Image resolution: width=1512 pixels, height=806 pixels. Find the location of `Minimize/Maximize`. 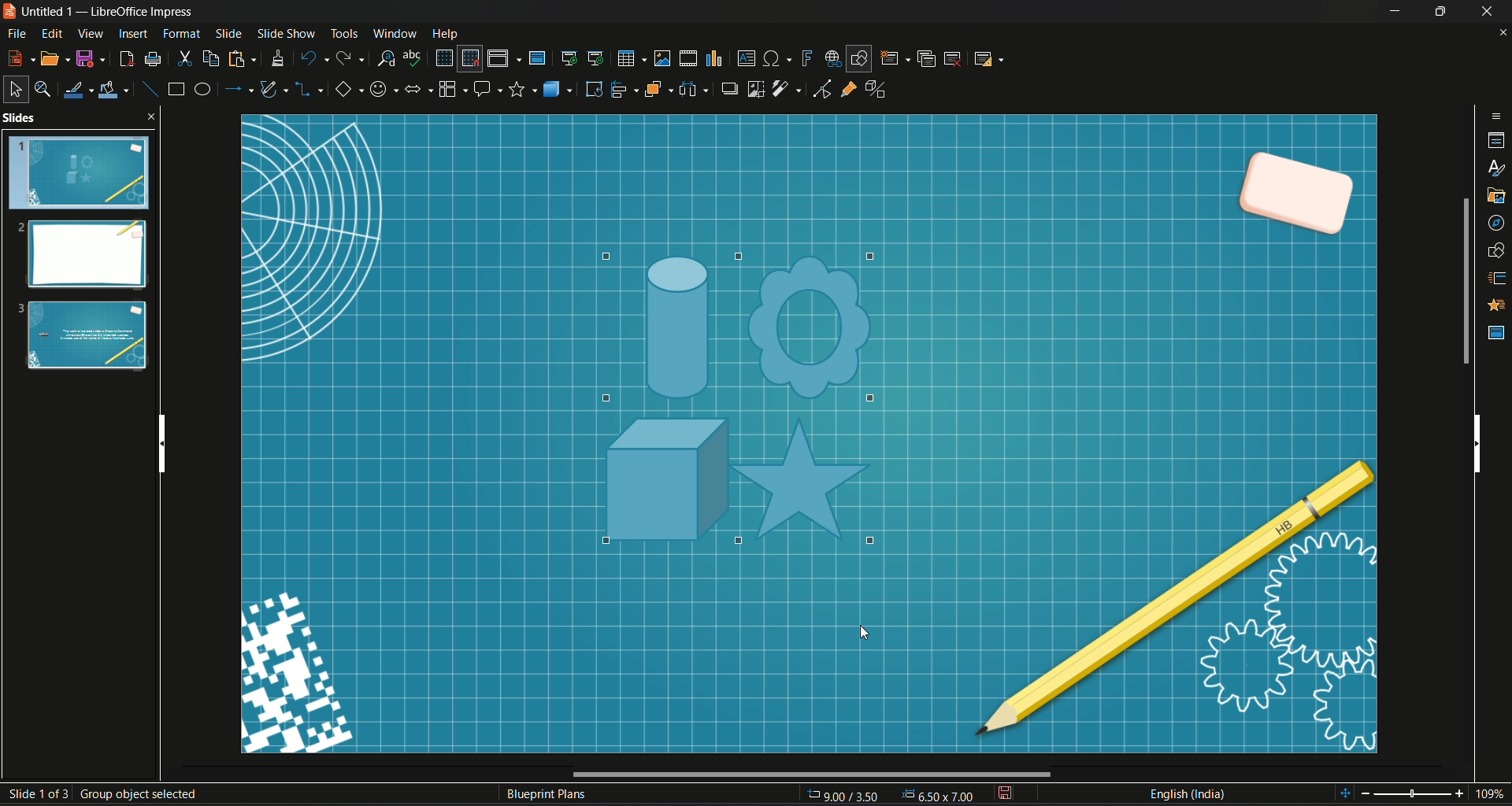

Minimize/Maximize is located at coordinates (1439, 11).